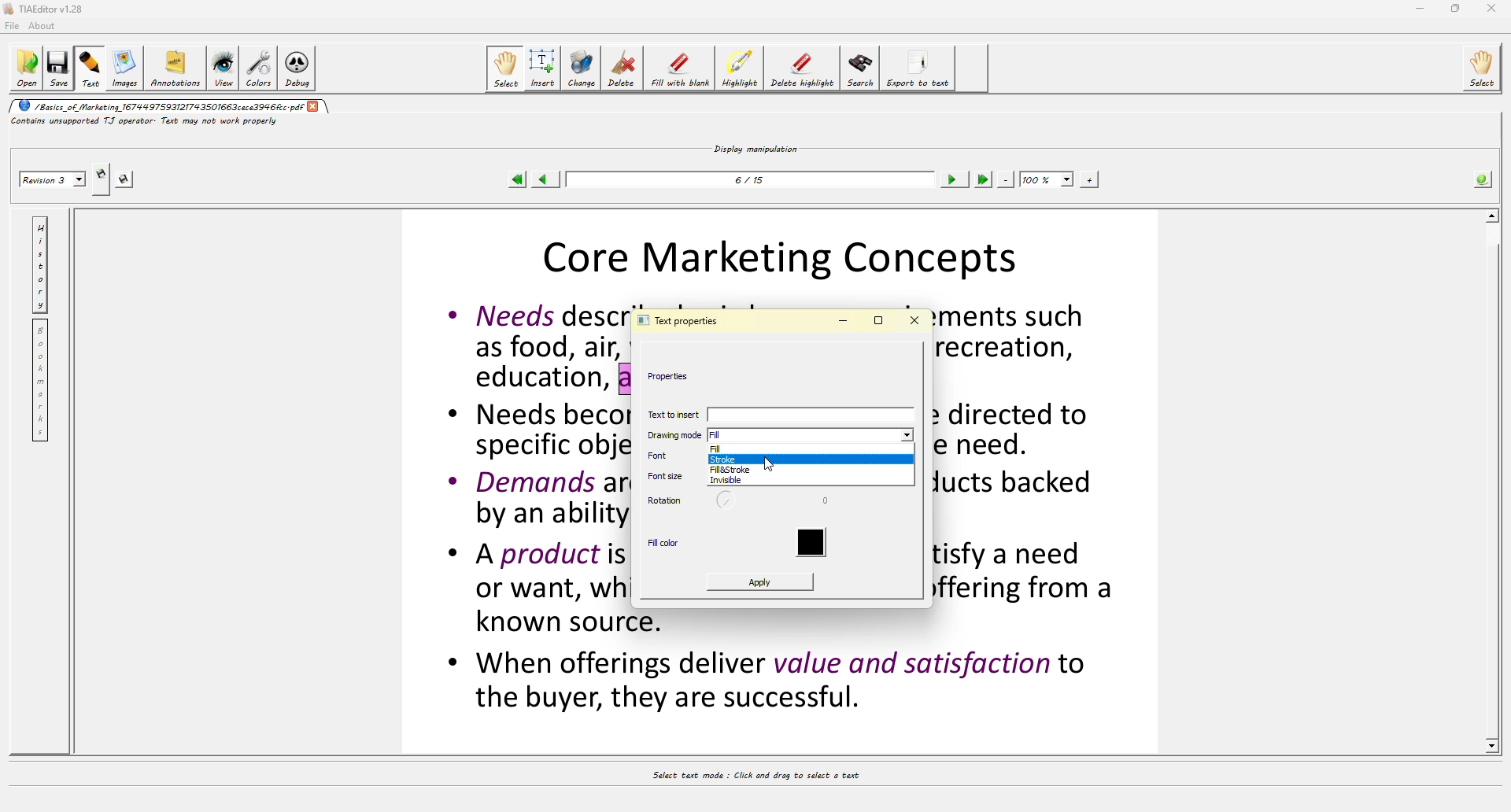  I want to click on invisible, so click(726, 482).